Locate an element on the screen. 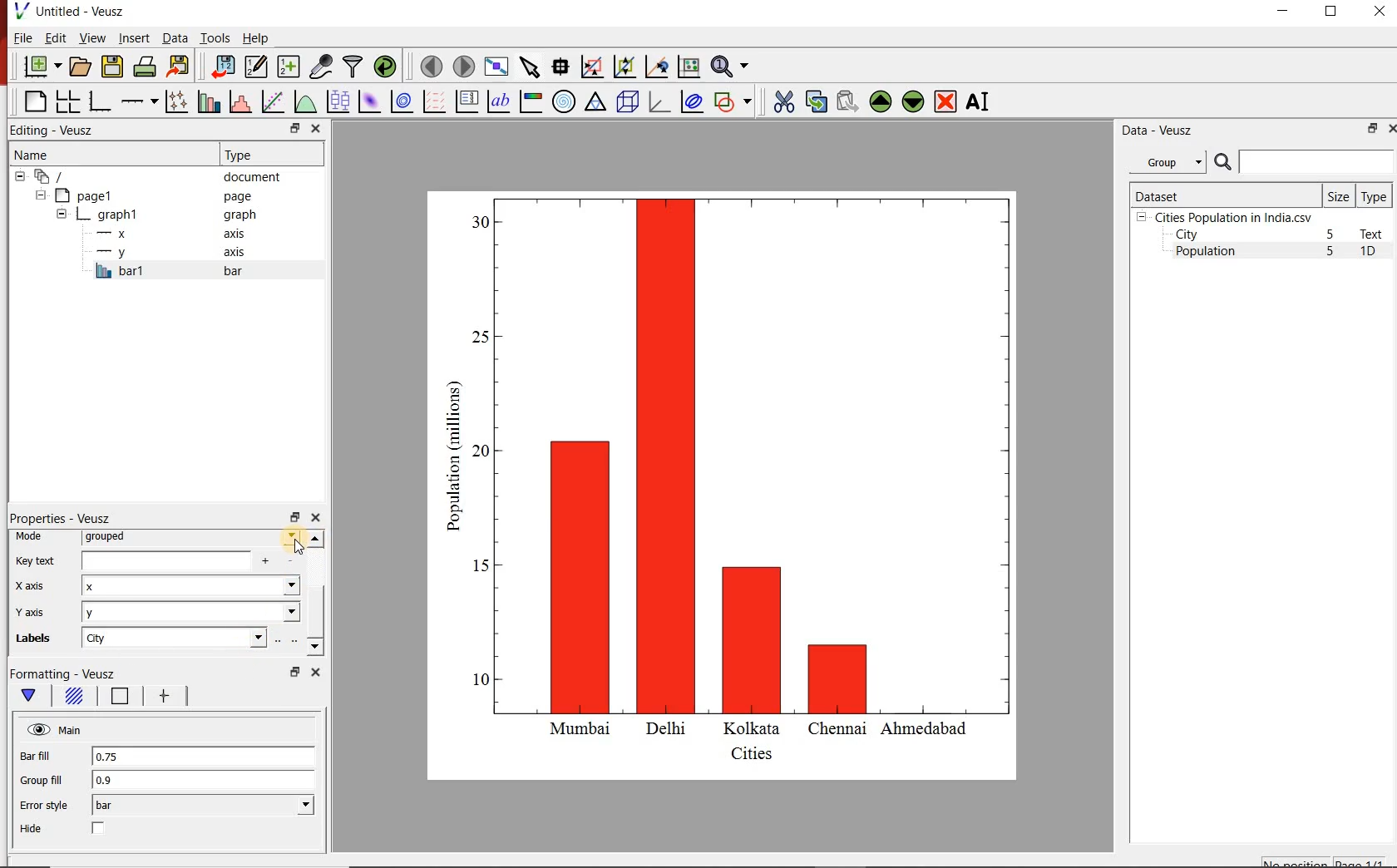 Image resolution: width=1397 pixels, height=868 pixels. bar is located at coordinates (203, 806).